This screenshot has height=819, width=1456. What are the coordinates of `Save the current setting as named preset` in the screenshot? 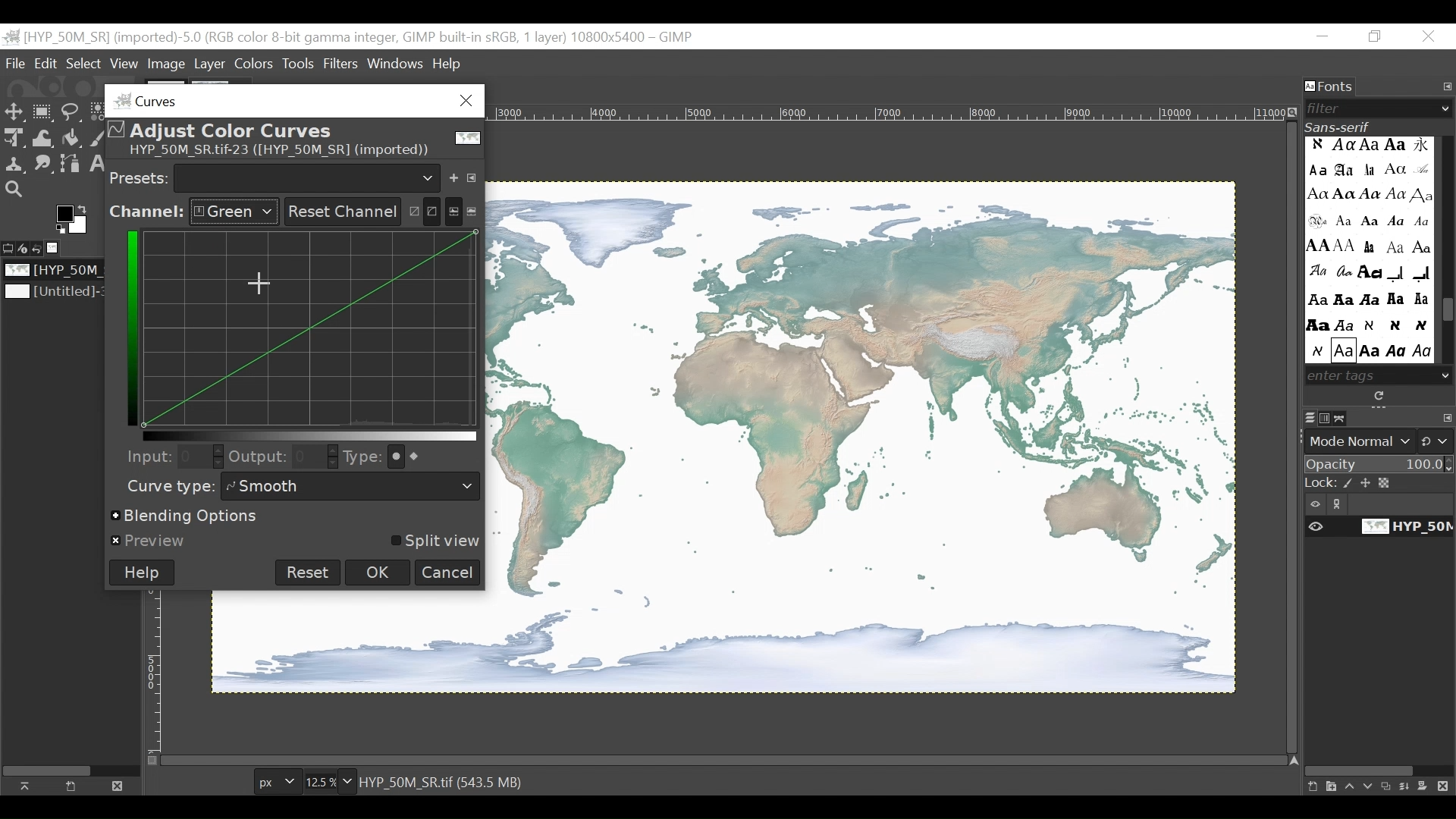 It's located at (457, 175).